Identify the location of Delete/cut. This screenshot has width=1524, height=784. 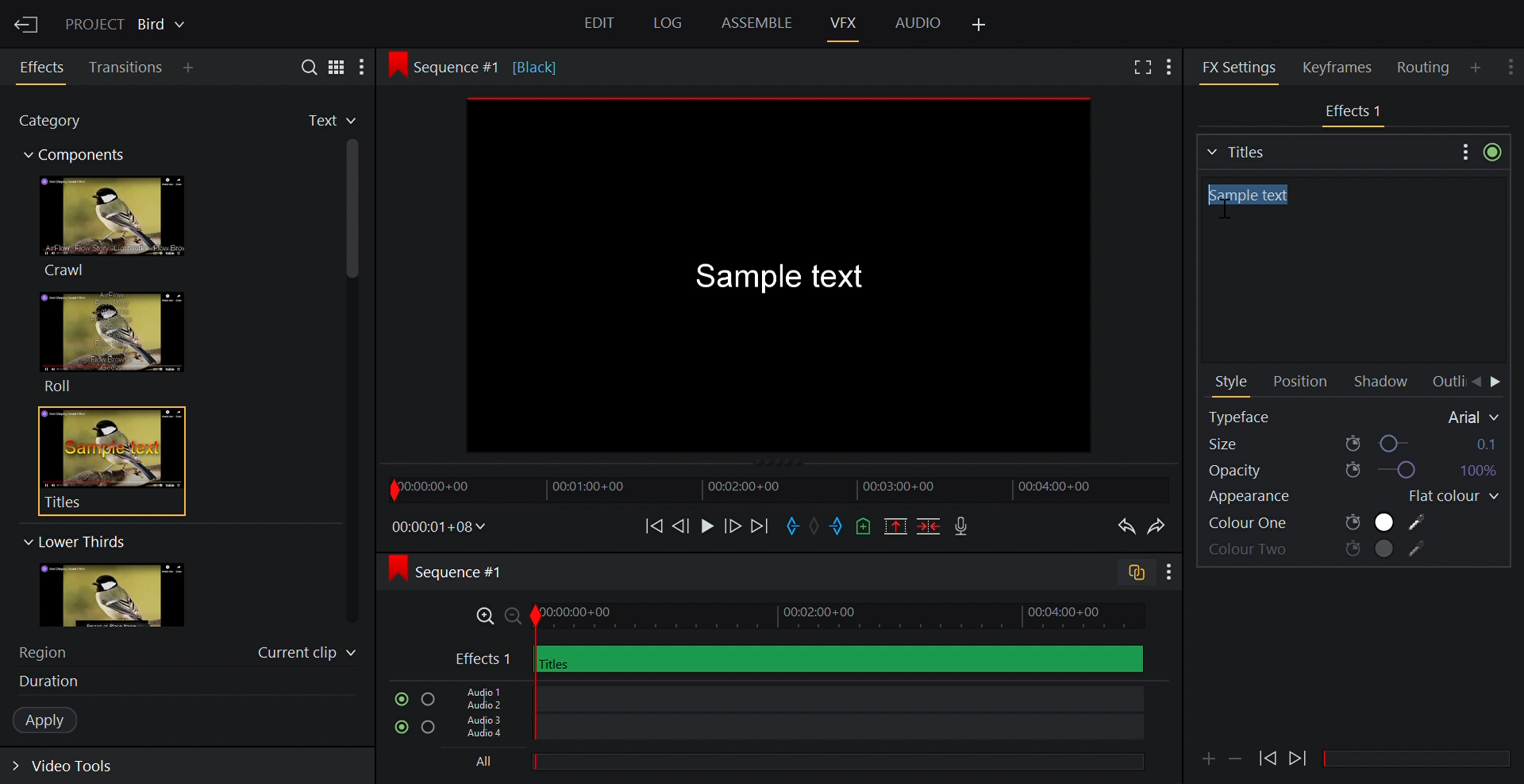
(930, 528).